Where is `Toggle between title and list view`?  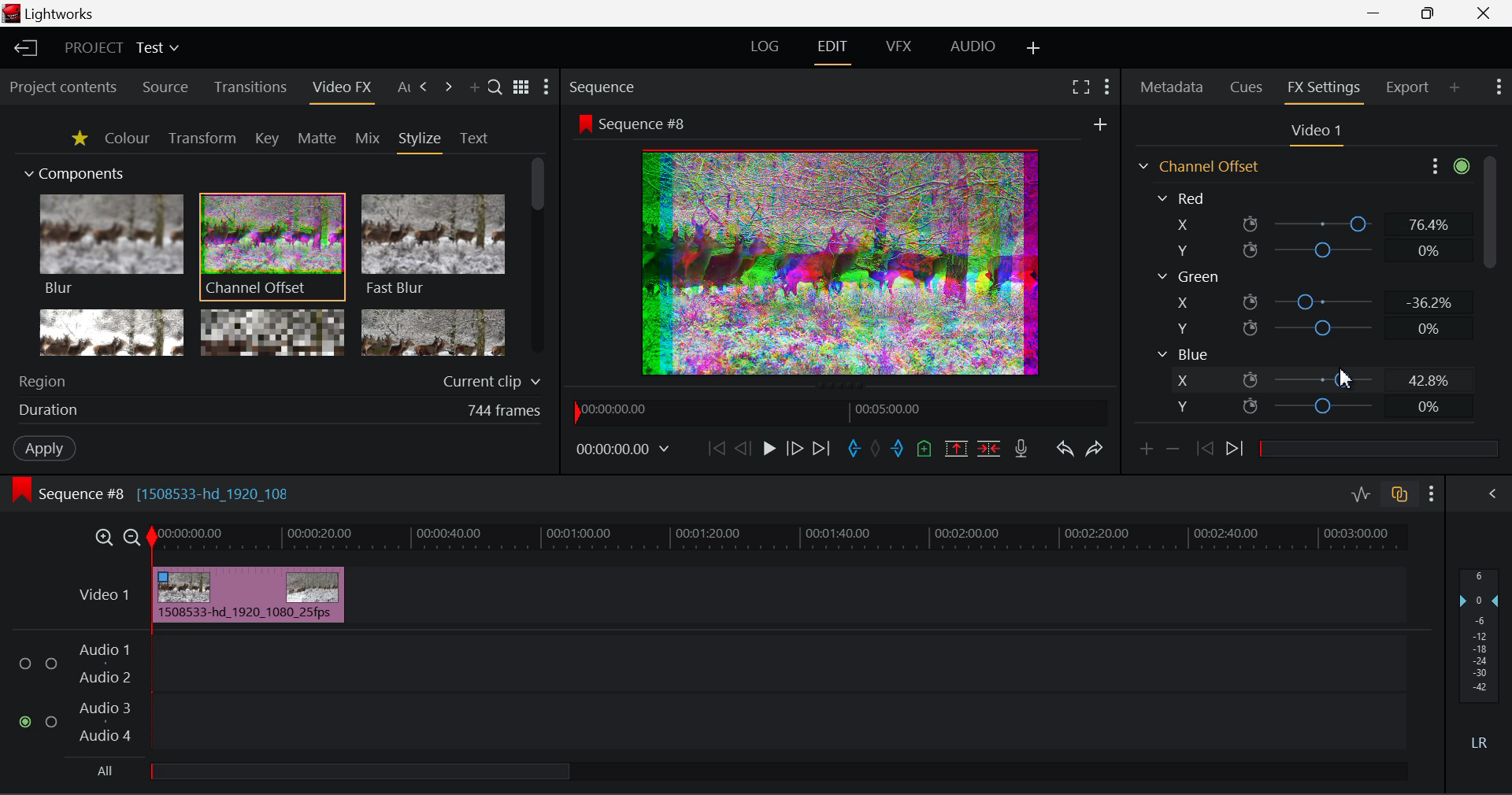 Toggle between title and list view is located at coordinates (521, 84).